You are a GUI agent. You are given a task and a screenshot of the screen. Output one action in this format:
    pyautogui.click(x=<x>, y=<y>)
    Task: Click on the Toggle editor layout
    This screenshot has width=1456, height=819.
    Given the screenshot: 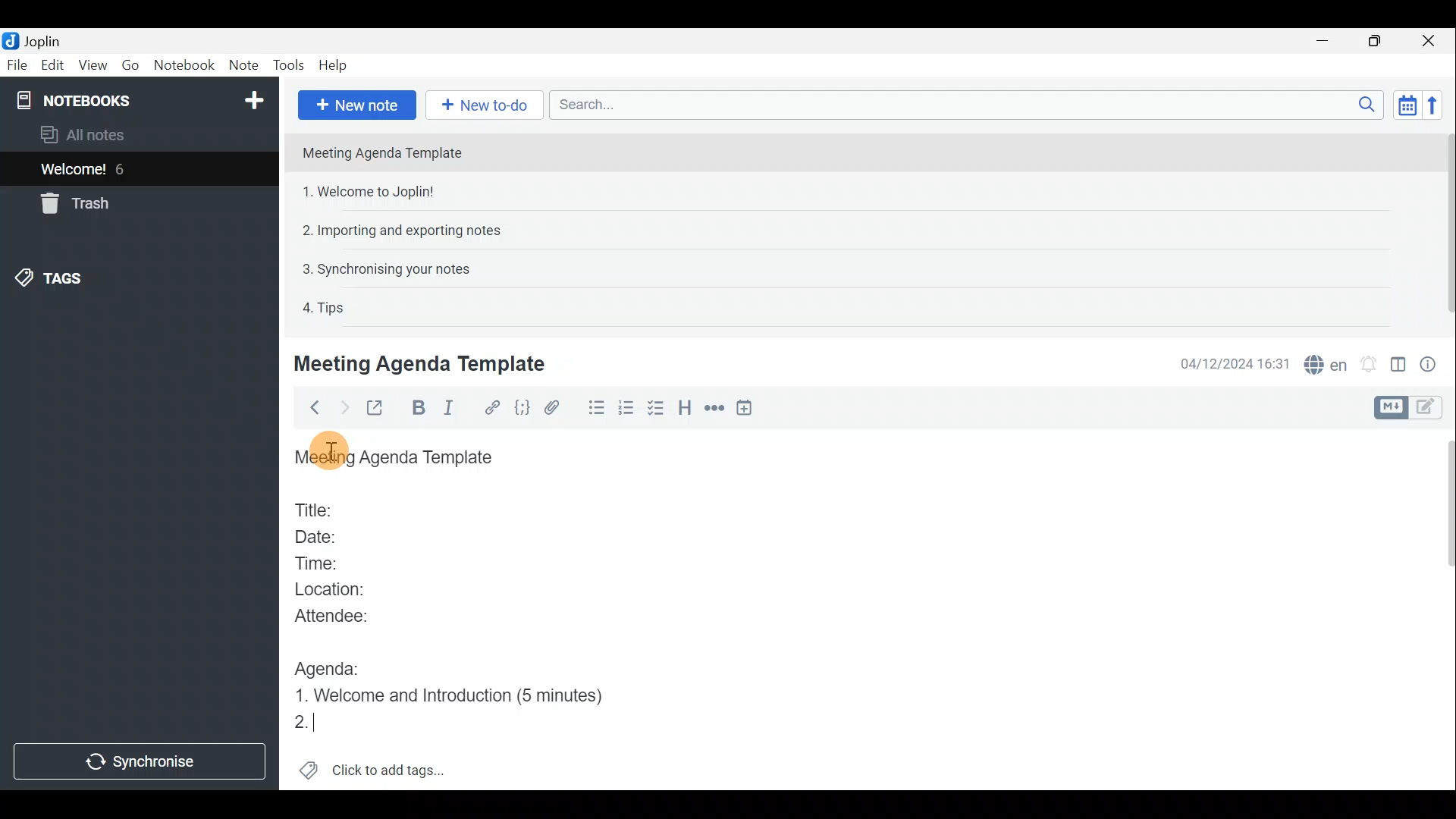 What is the action you would take?
    pyautogui.click(x=1399, y=367)
    